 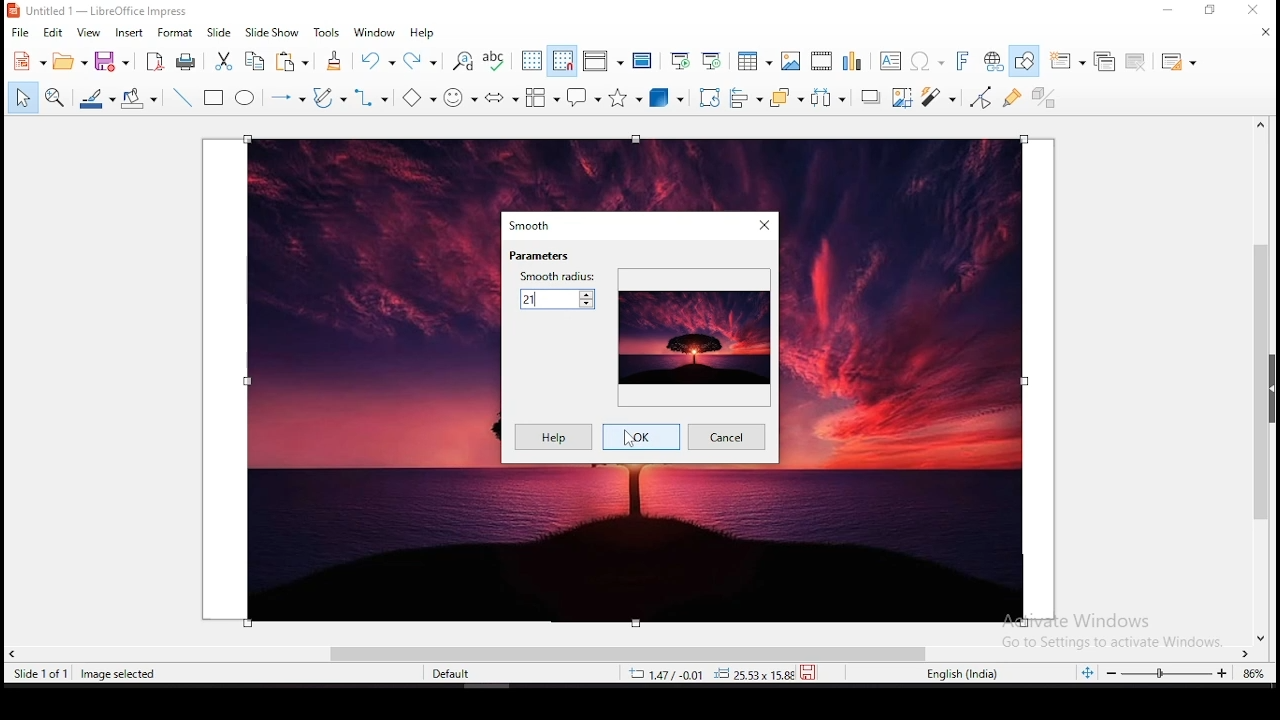 What do you see at coordinates (763, 224) in the screenshot?
I see `close window` at bounding box center [763, 224].